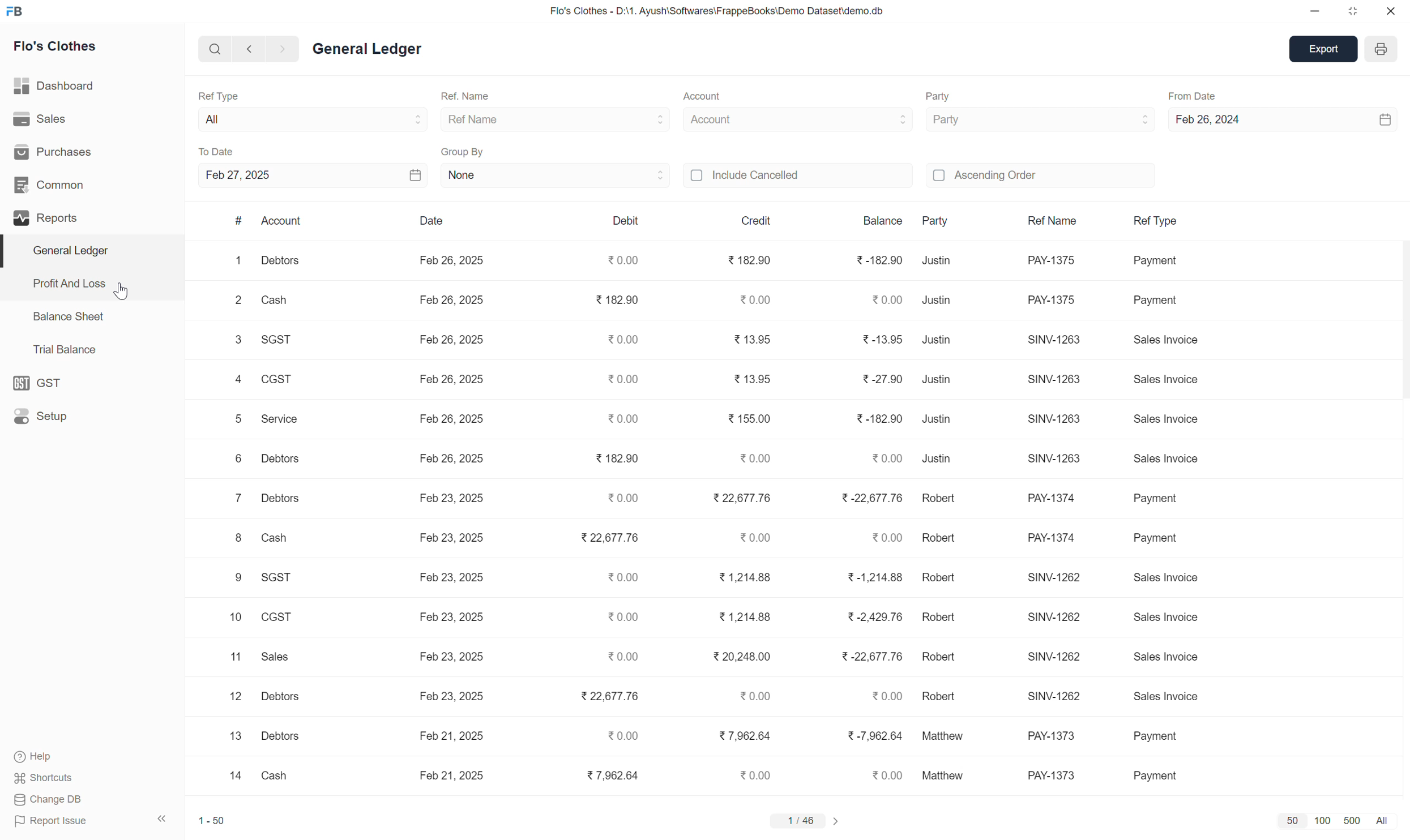 The height and width of the screenshot is (840, 1410). What do you see at coordinates (621, 620) in the screenshot?
I see `₹0.00` at bounding box center [621, 620].